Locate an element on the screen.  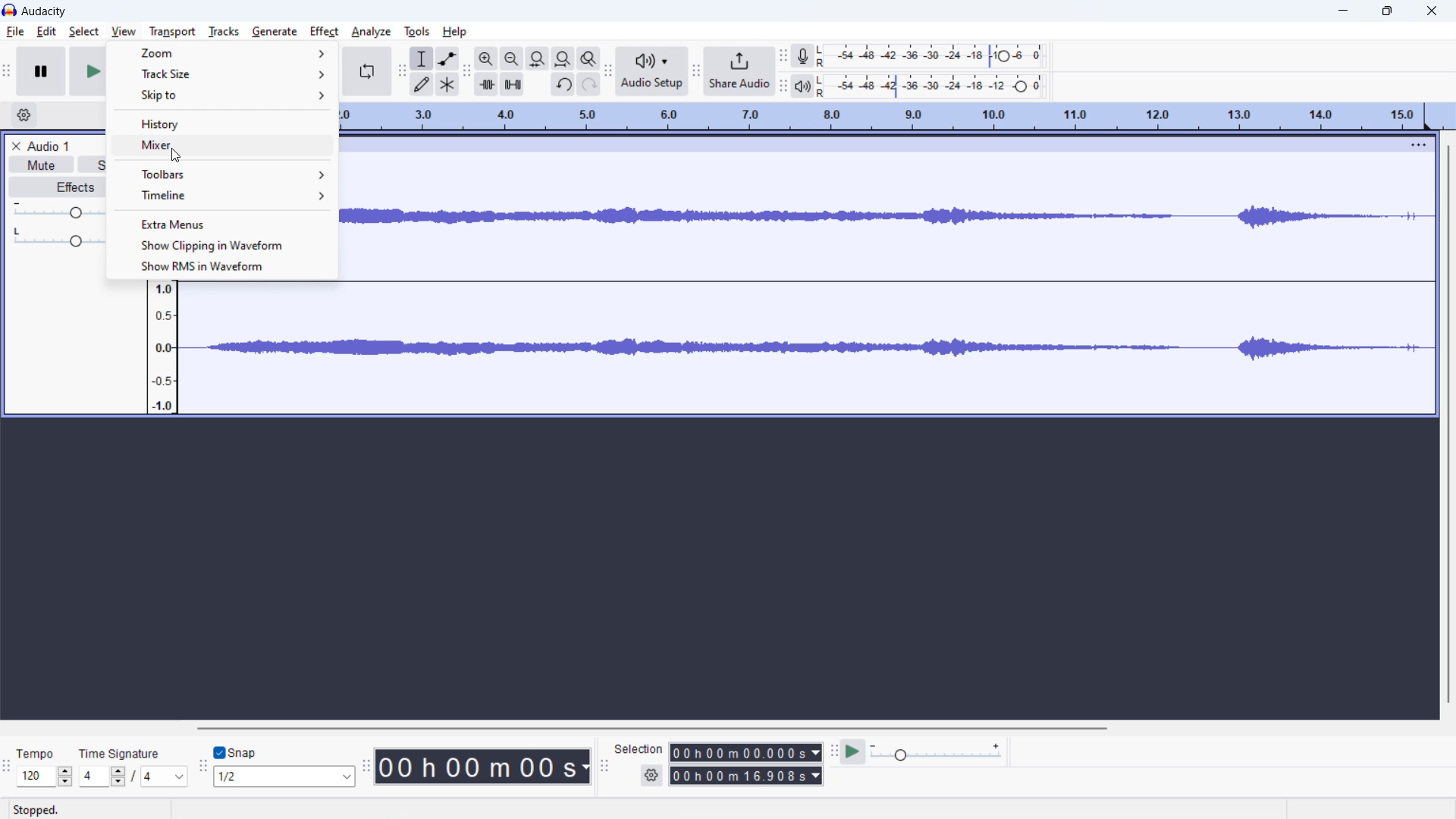
timeline is located at coordinates (893, 115).